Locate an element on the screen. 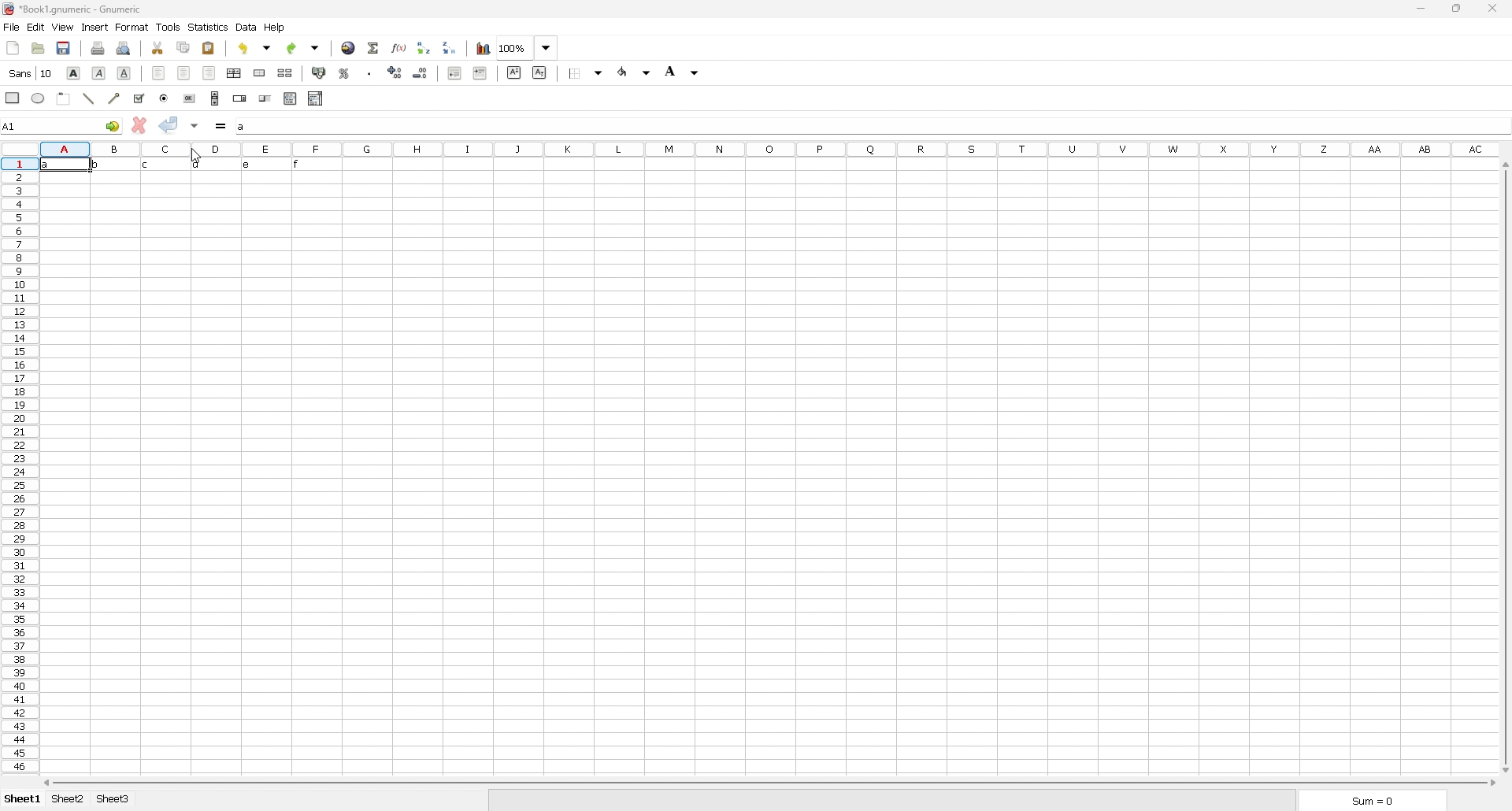 This screenshot has width=1512, height=811. superscript is located at coordinates (513, 72).